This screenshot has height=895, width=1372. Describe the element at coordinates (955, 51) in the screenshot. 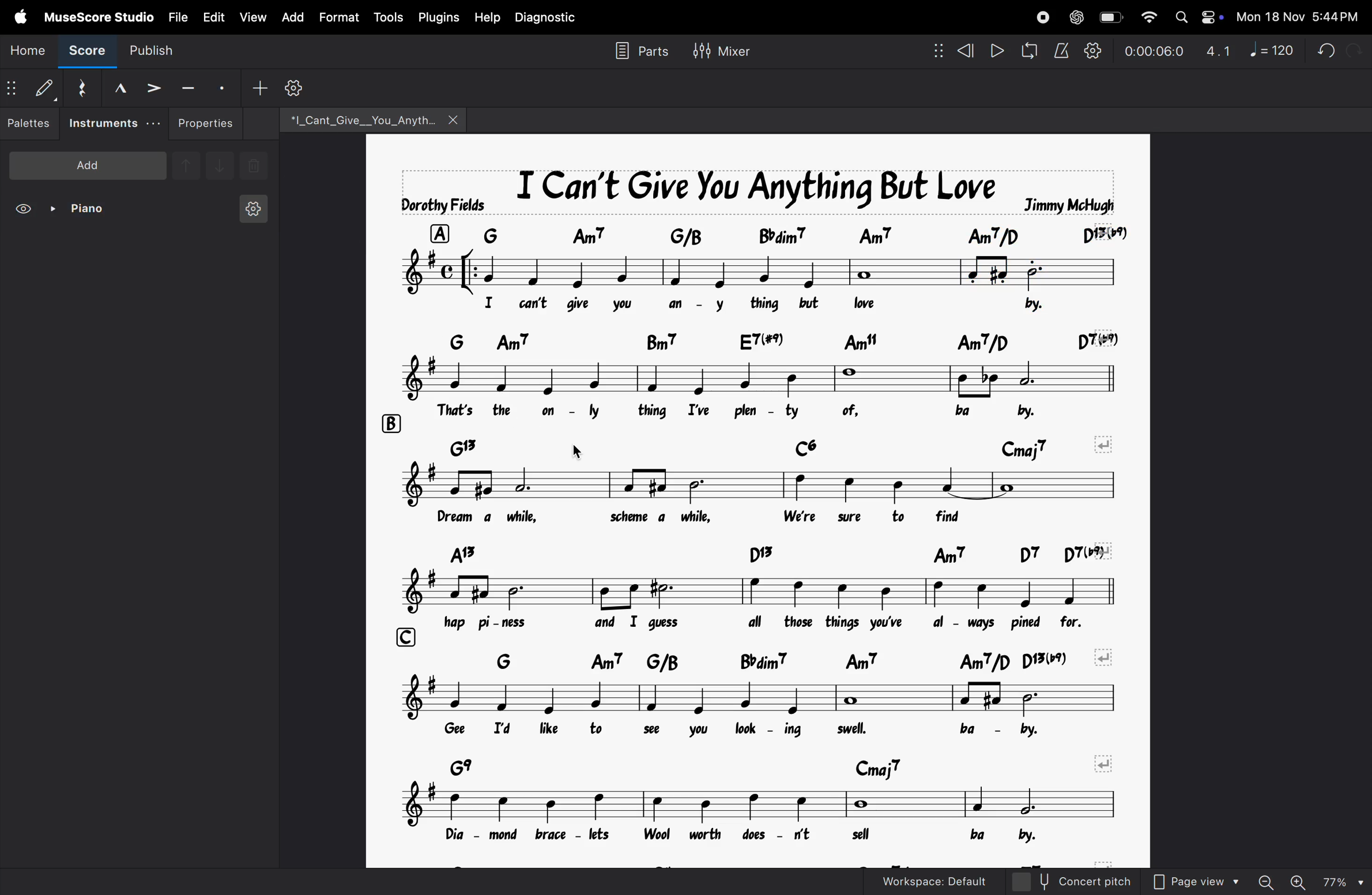

I see `rewind` at that location.